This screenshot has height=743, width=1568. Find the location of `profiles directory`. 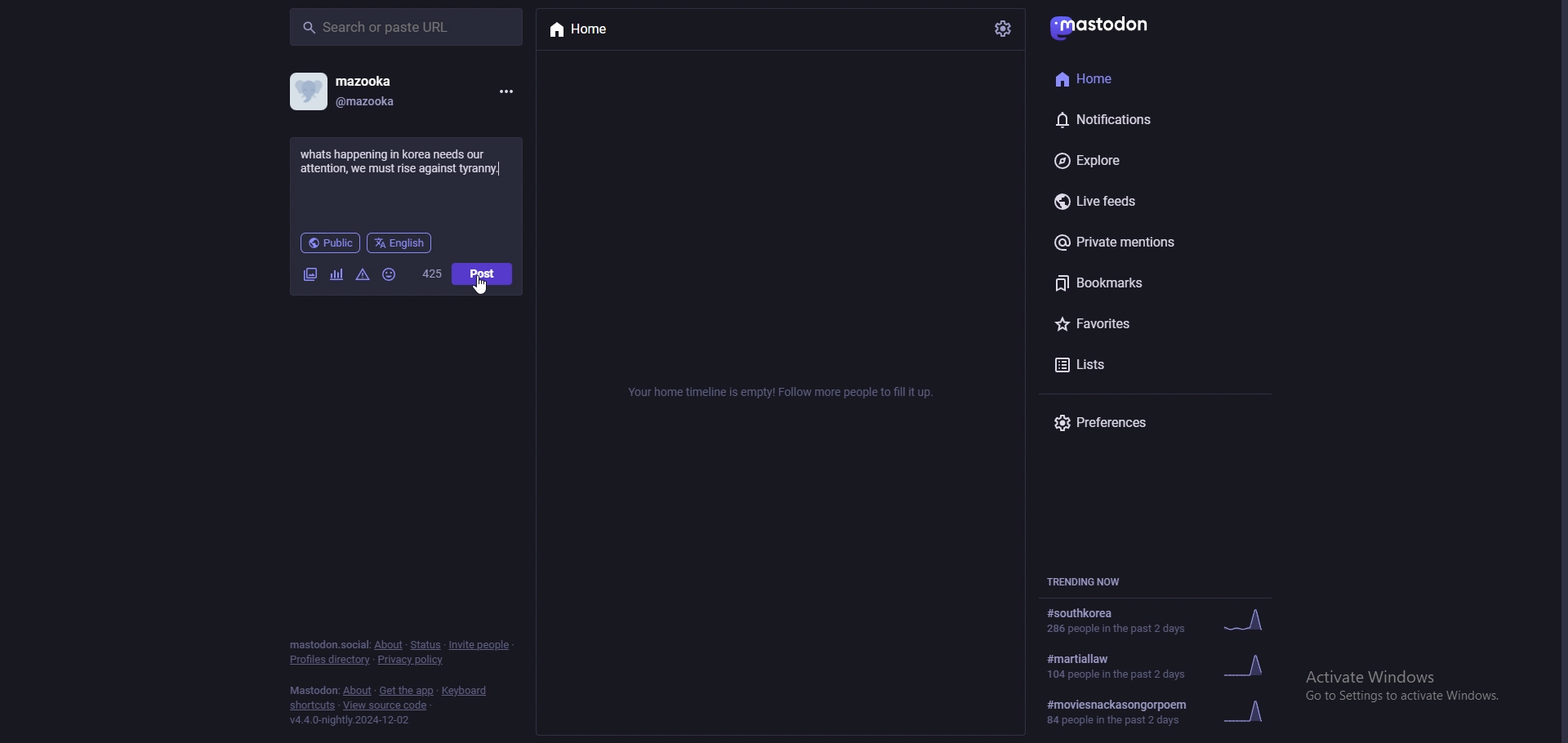

profiles directory is located at coordinates (330, 660).